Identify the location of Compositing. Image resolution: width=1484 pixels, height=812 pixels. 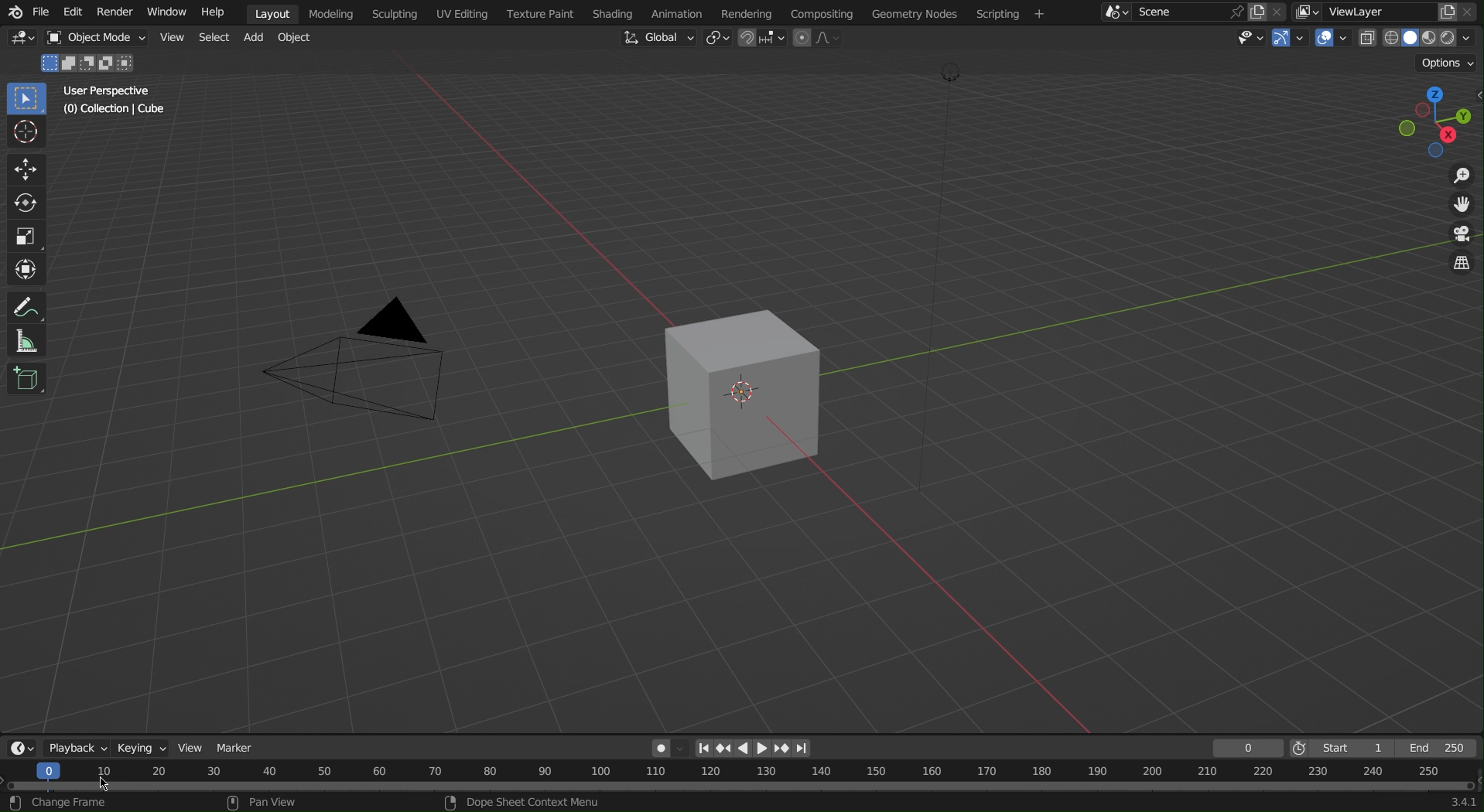
(822, 14).